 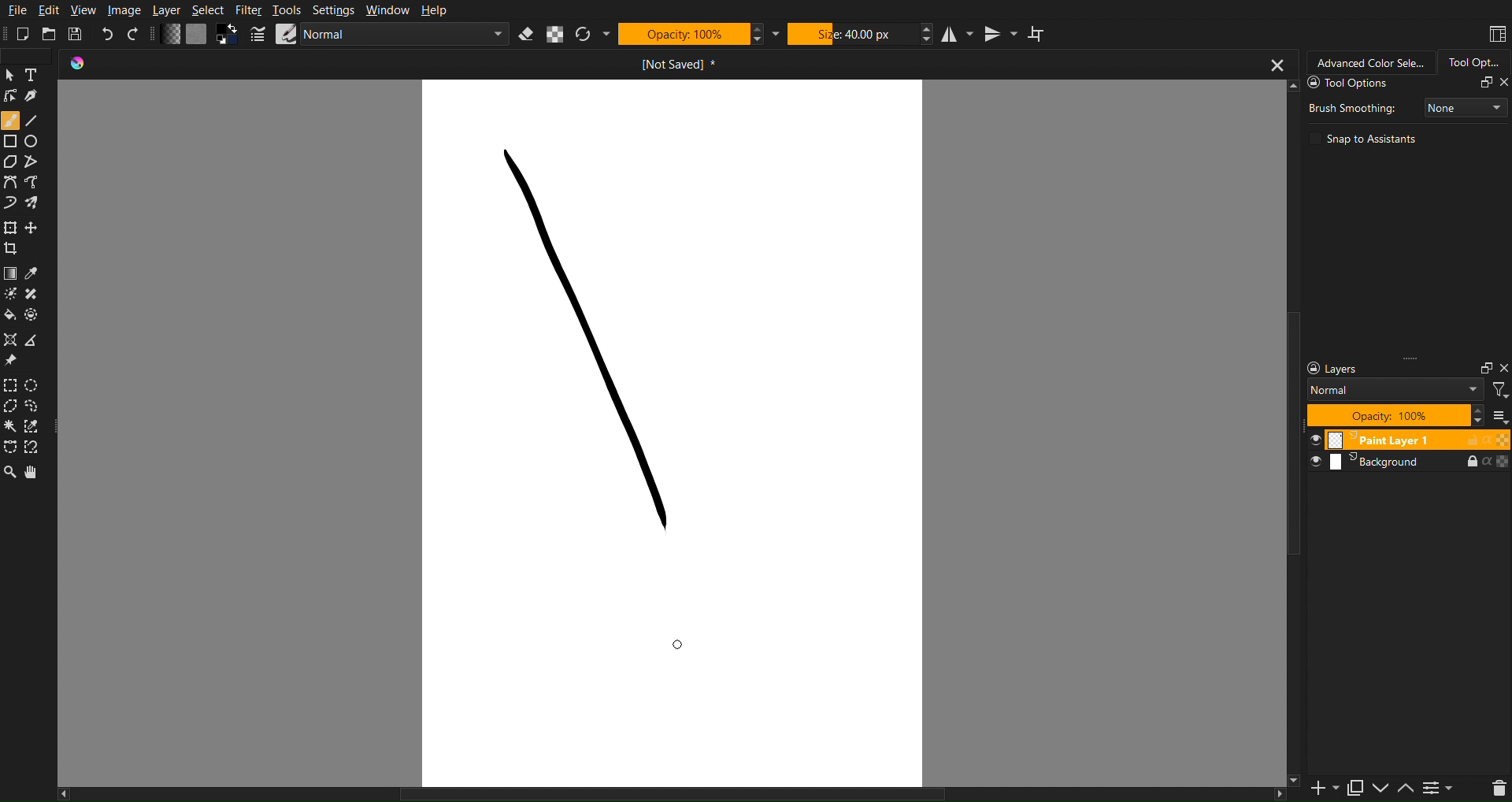 What do you see at coordinates (108, 33) in the screenshot?
I see `Undo` at bounding box center [108, 33].